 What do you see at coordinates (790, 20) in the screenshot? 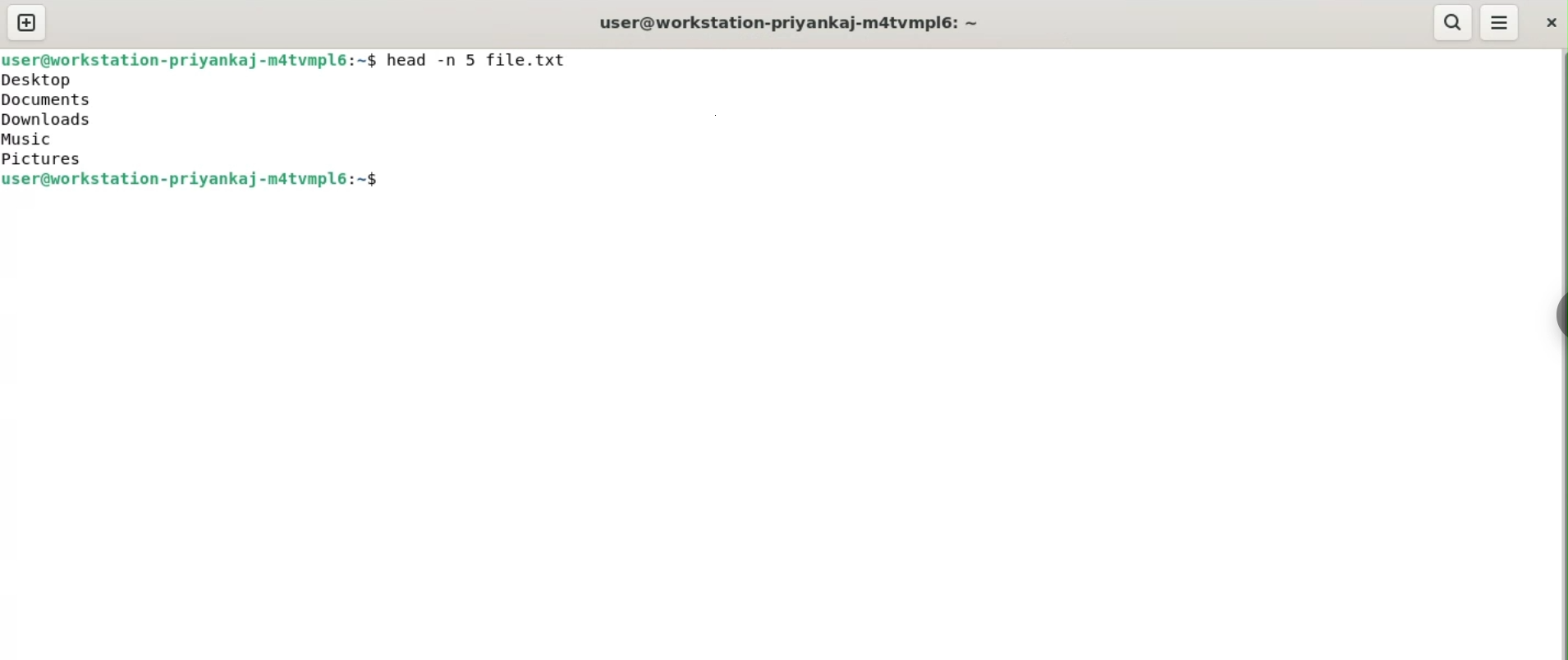
I see `user@workstation-priyankaj-m4tvmpl6: ~` at bounding box center [790, 20].